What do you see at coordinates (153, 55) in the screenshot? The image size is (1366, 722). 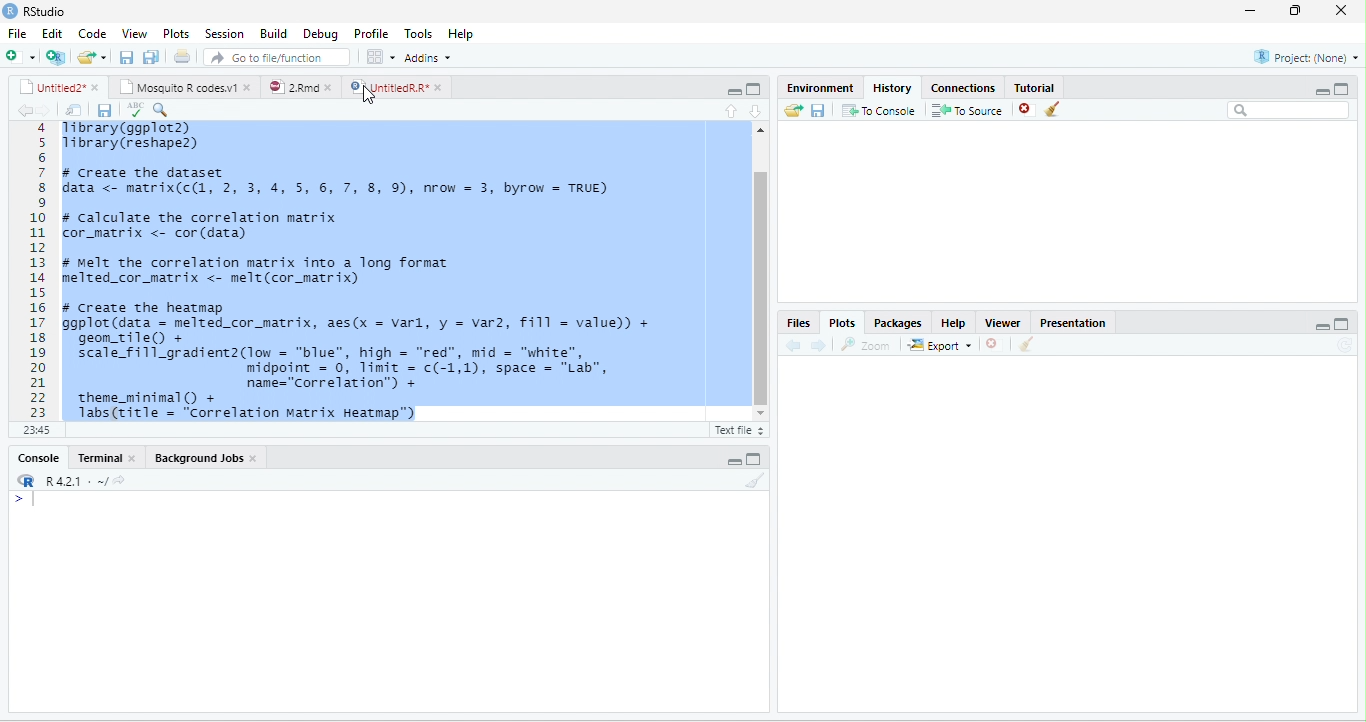 I see `` at bounding box center [153, 55].